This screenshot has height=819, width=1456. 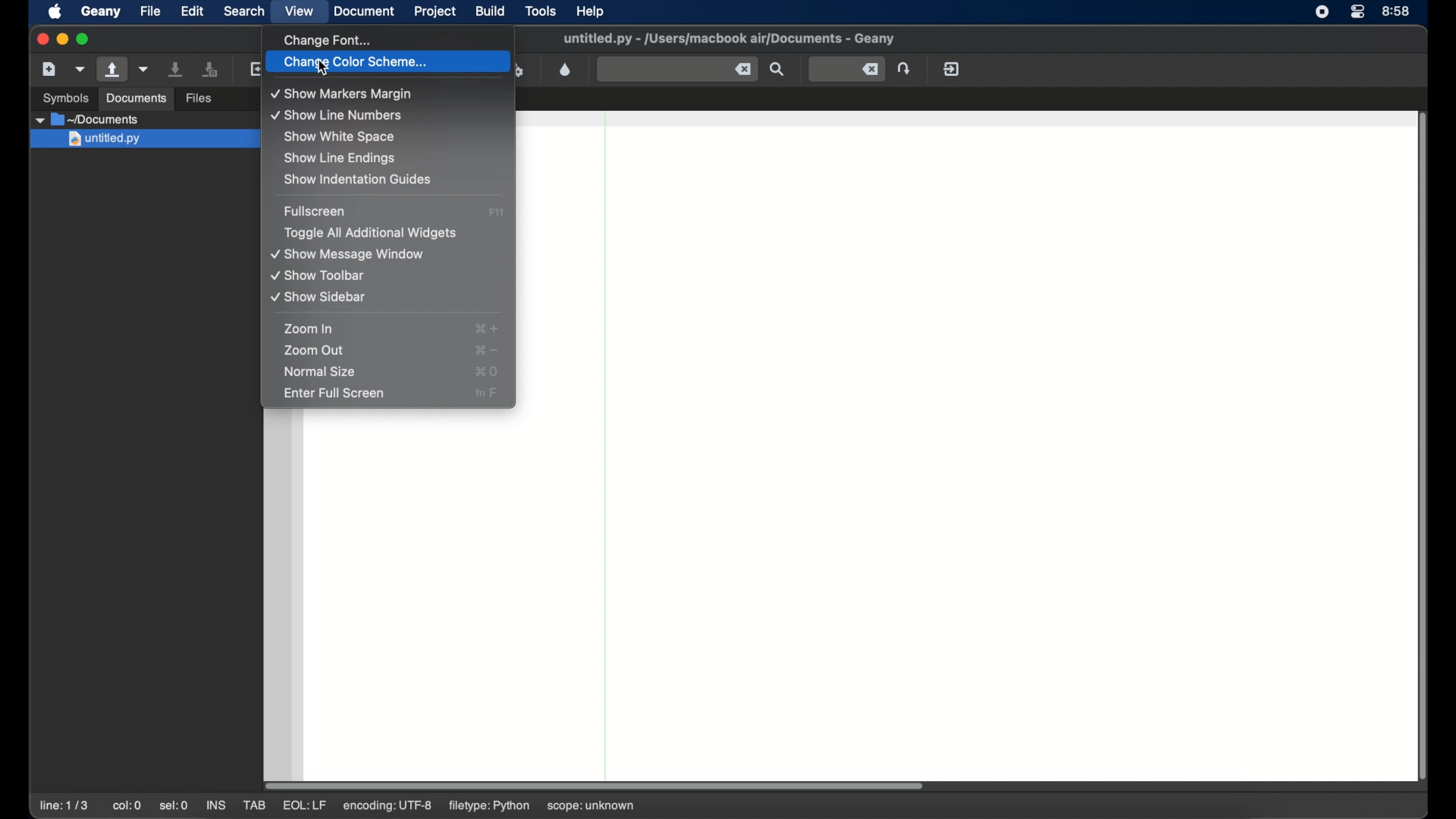 I want to click on open current file, so click(x=145, y=69).